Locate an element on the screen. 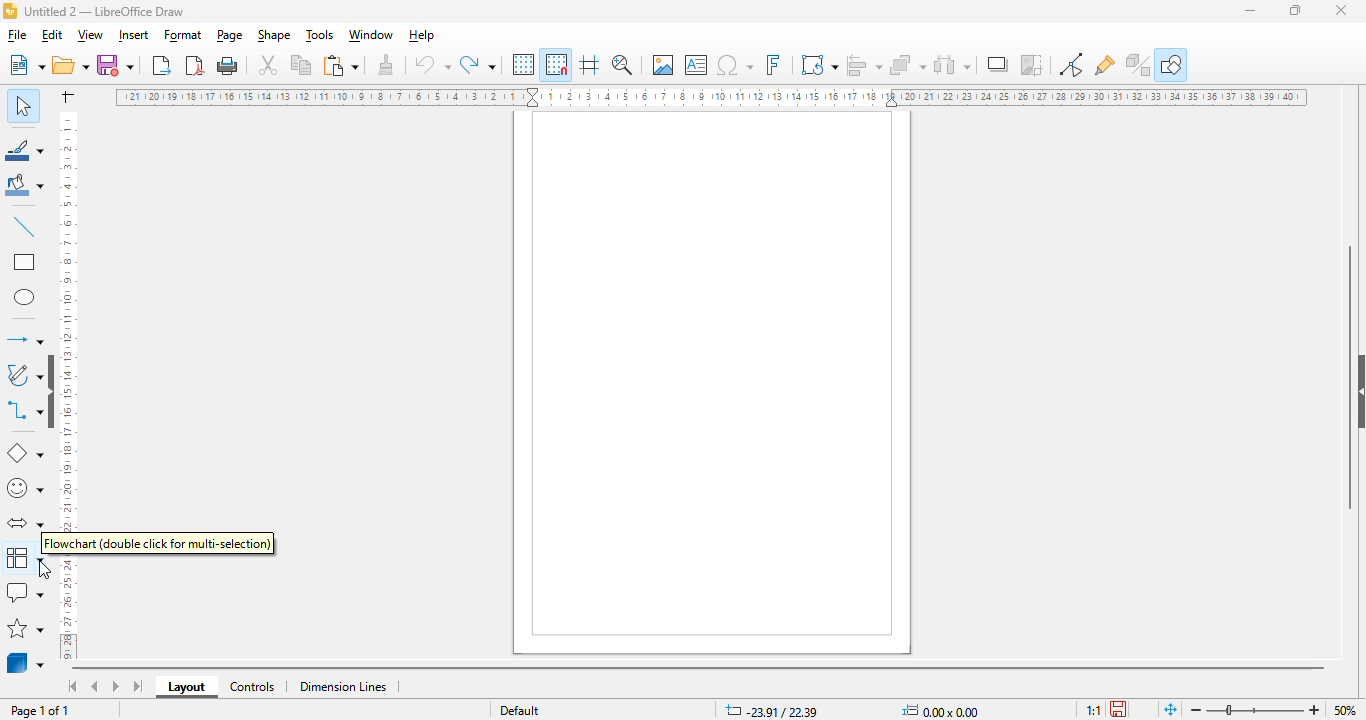 The image size is (1366, 720). insert is located at coordinates (134, 35).